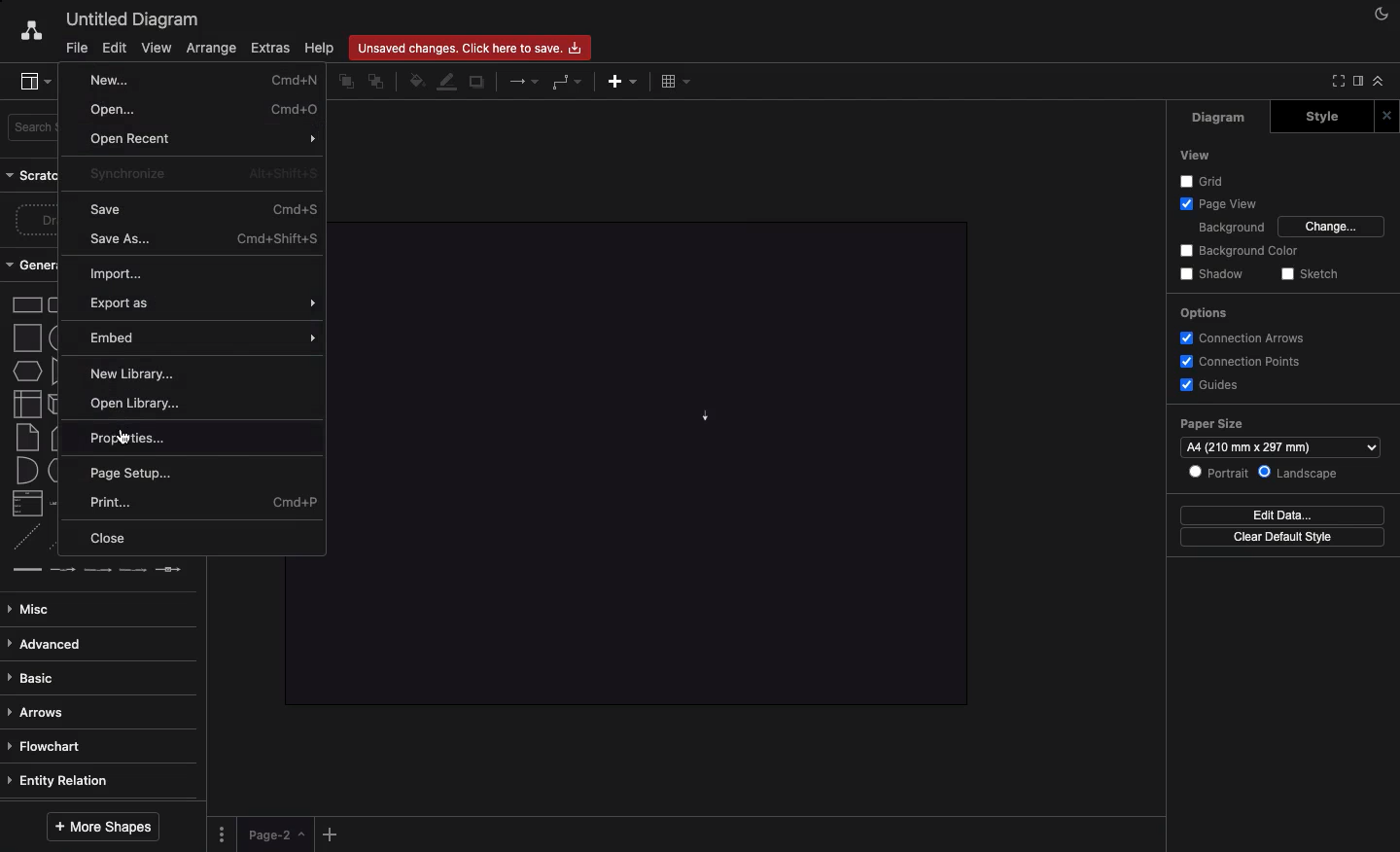  What do you see at coordinates (1282, 446) in the screenshot?
I see `A4 (210 mm x 297 mm)` at bounding box center [1282, 446].